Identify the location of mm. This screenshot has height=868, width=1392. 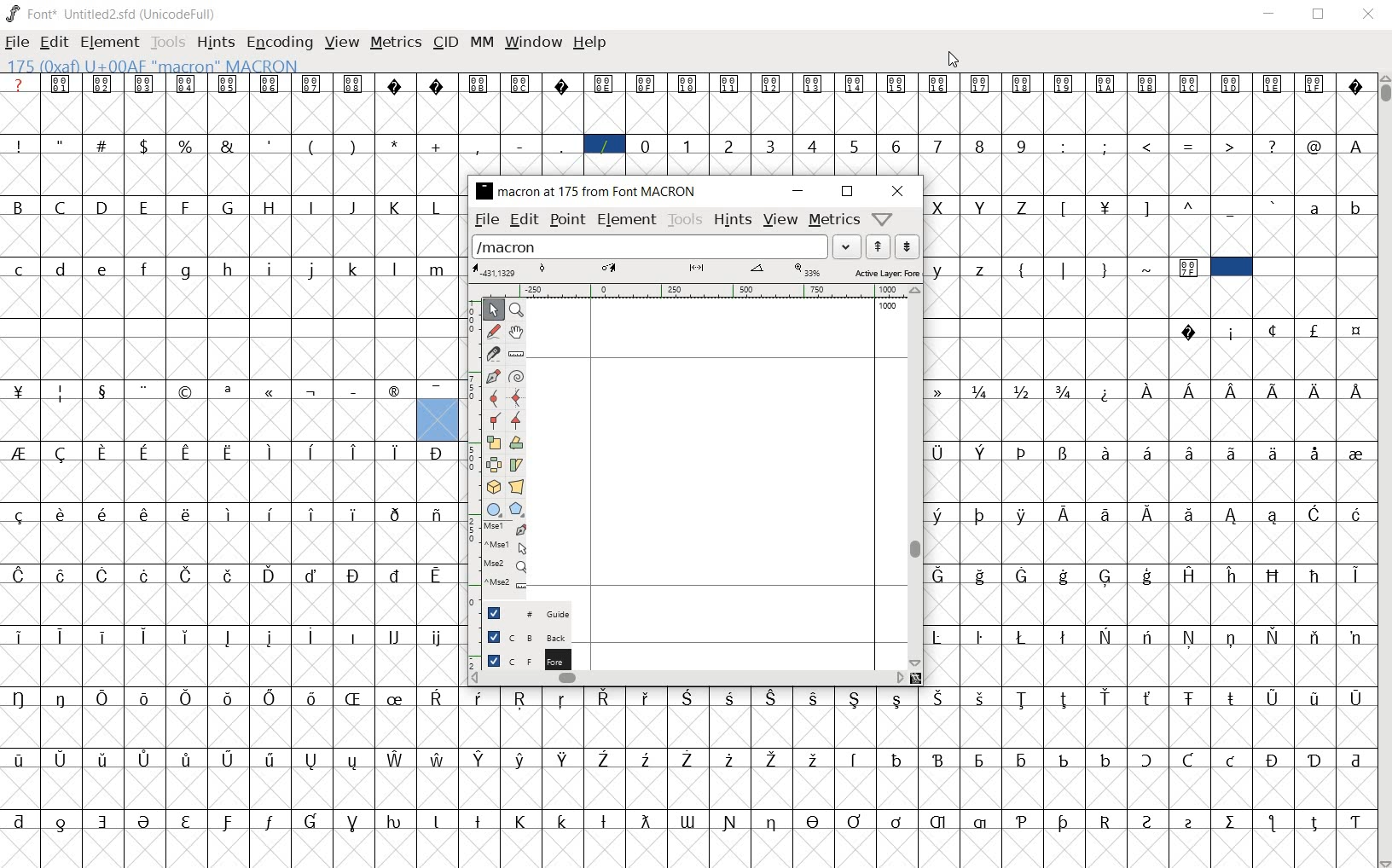
(482, 43).